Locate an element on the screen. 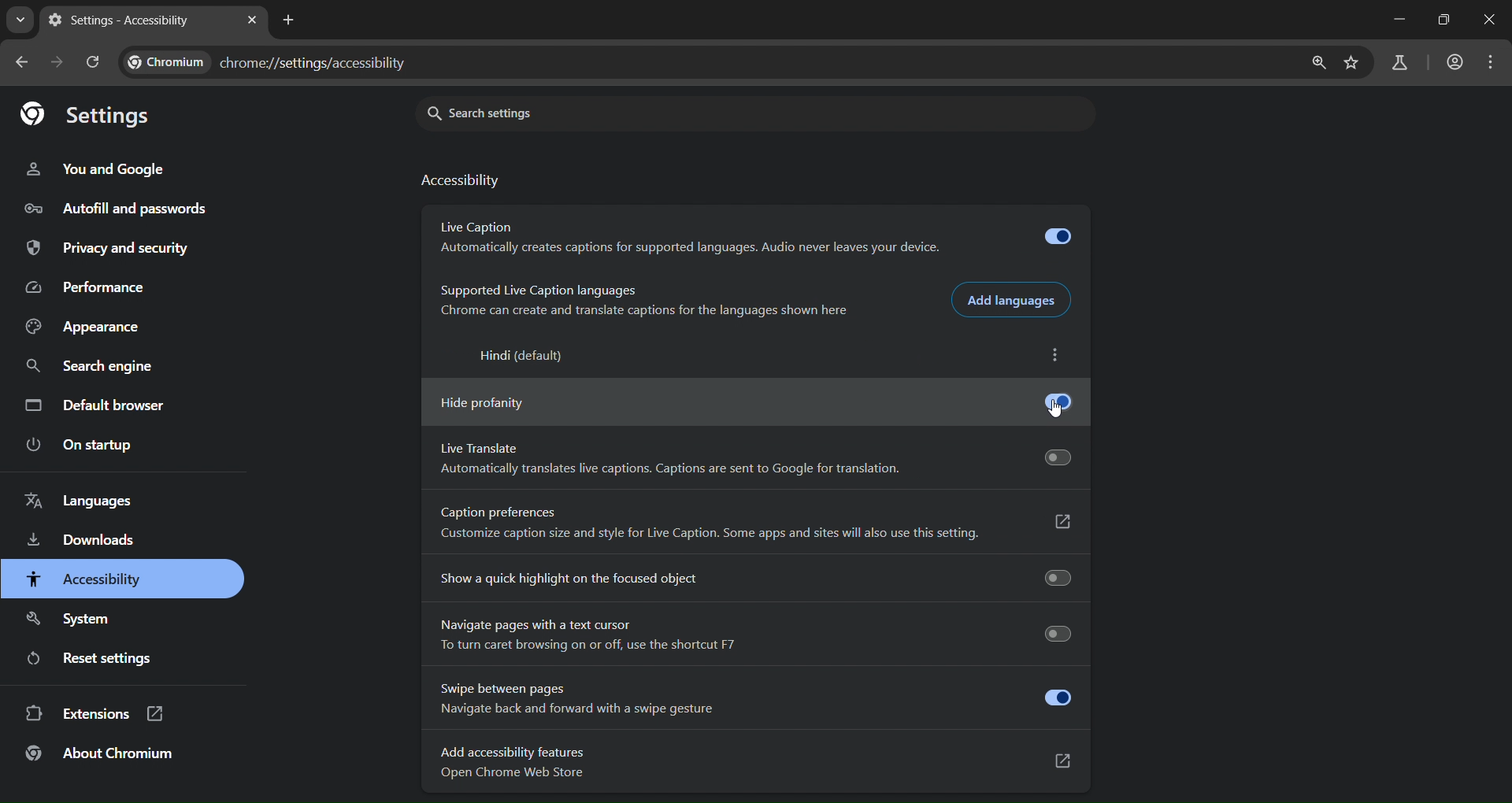 The image size is (1512, 803). on startup is located at coordinates (83, 446).